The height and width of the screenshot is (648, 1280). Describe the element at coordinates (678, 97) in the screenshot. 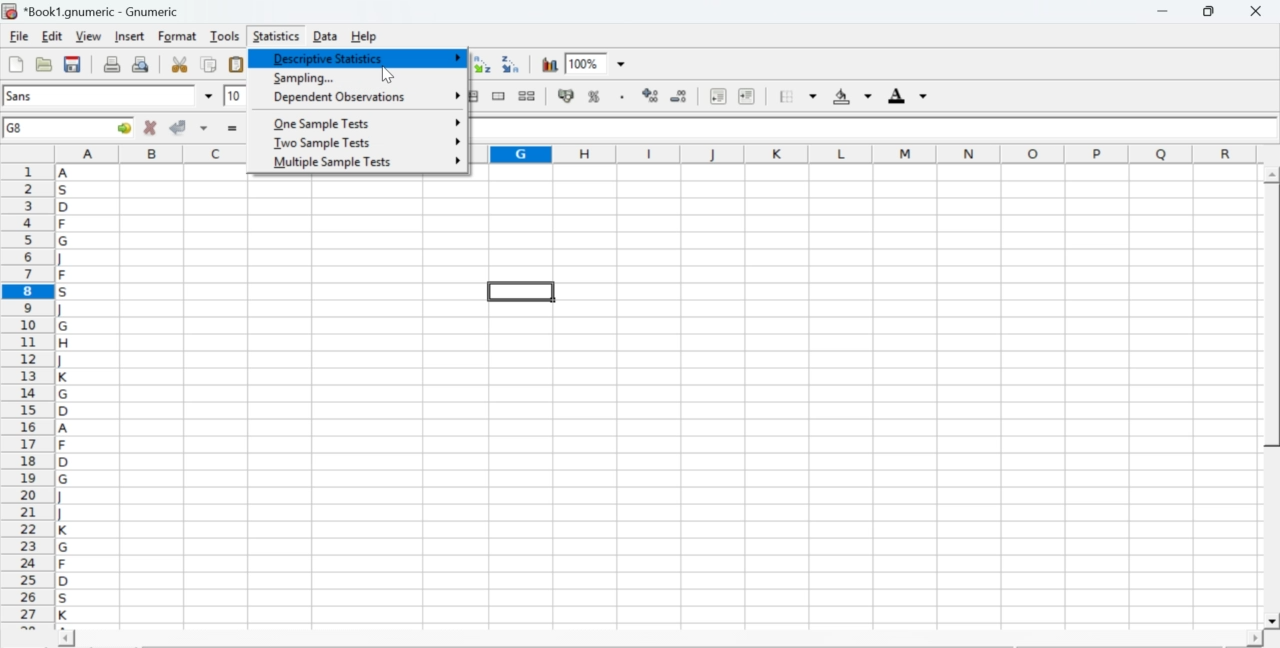

I see `decrease number of decimals displayed` at that location.